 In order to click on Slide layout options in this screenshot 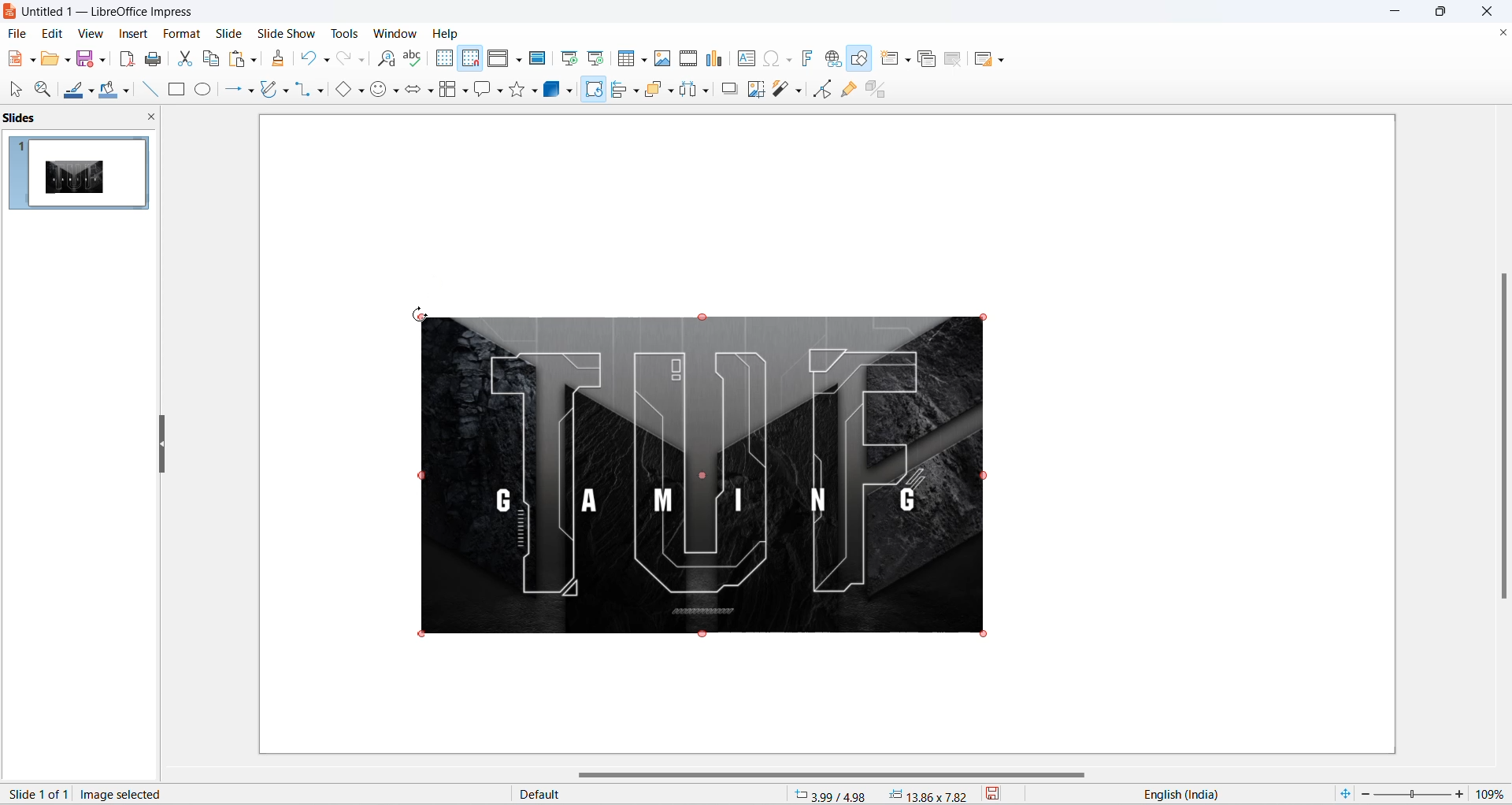, I will do `click(1005, 61)`.